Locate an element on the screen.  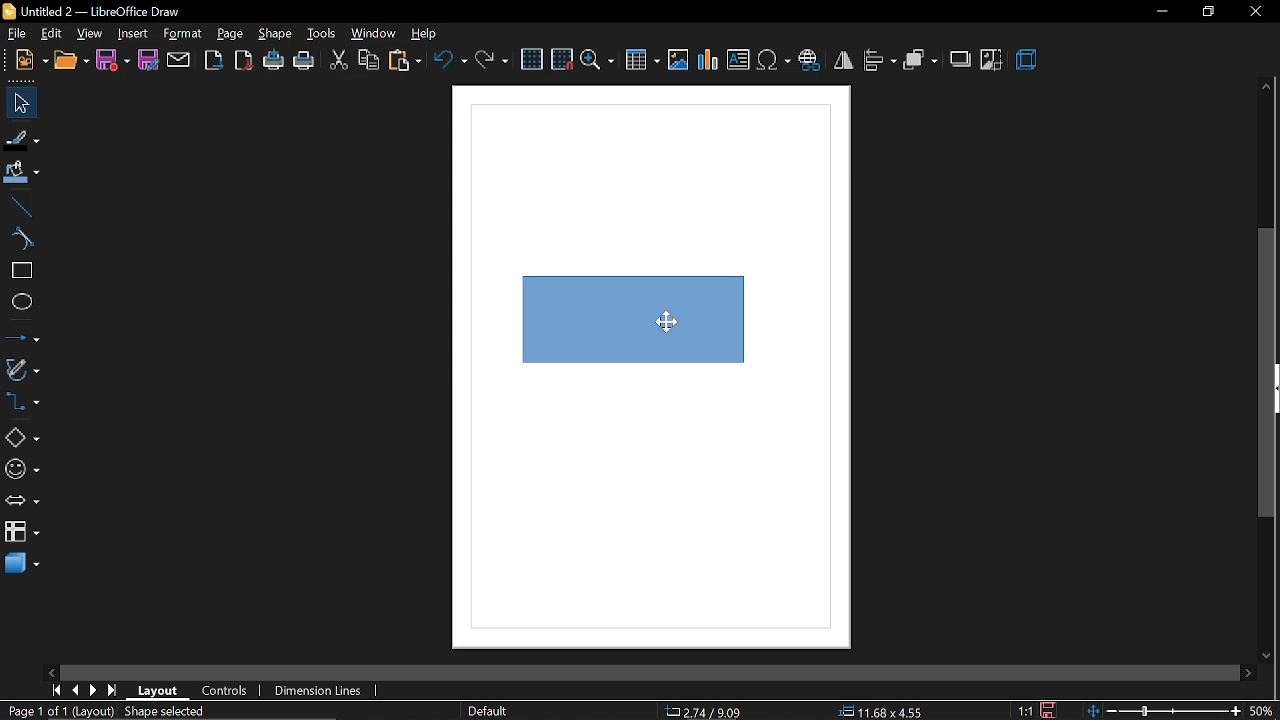
50% is located at coordinates (1264, 711).